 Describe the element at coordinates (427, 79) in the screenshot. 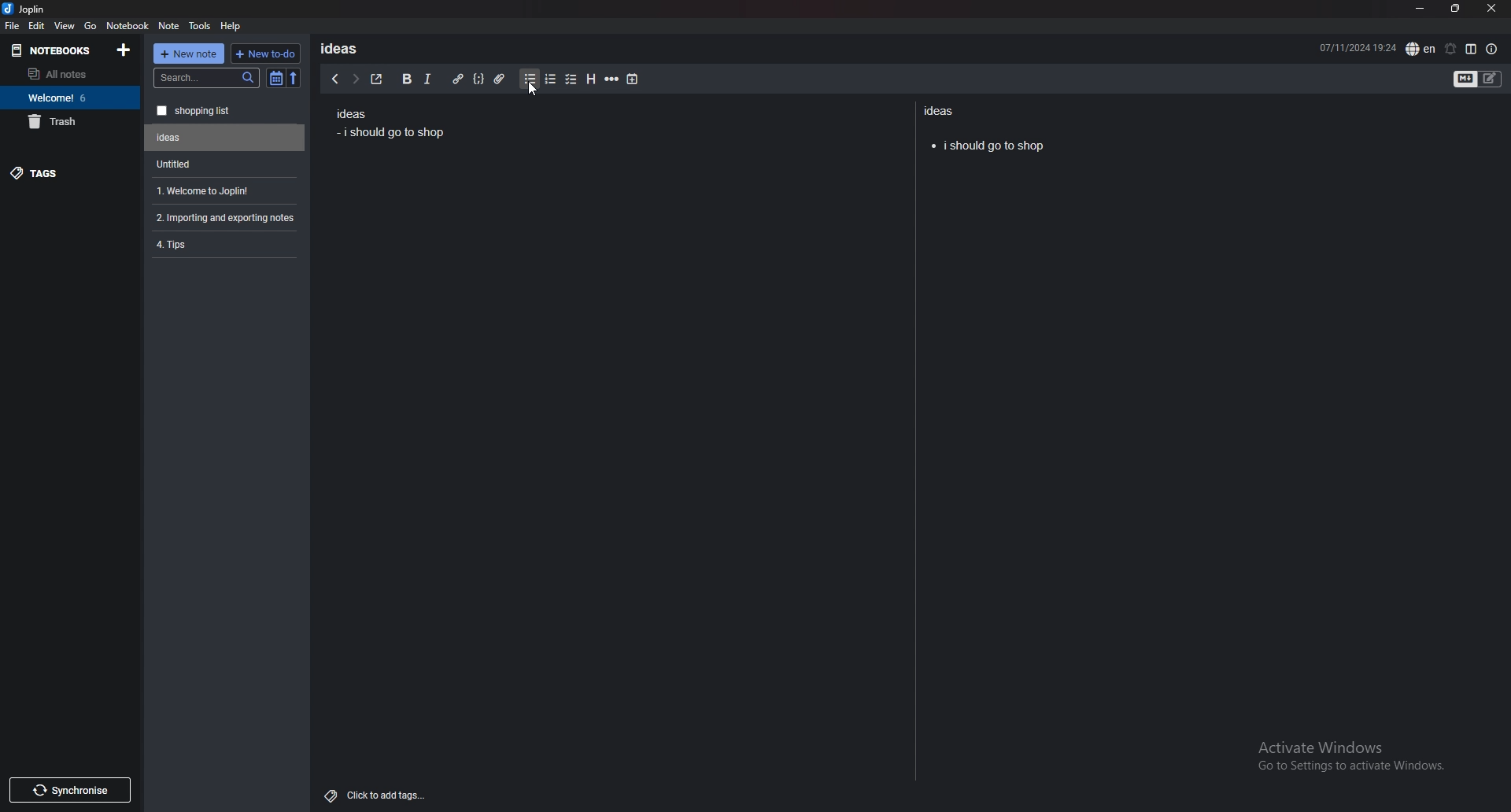

I see `italic` at that location.